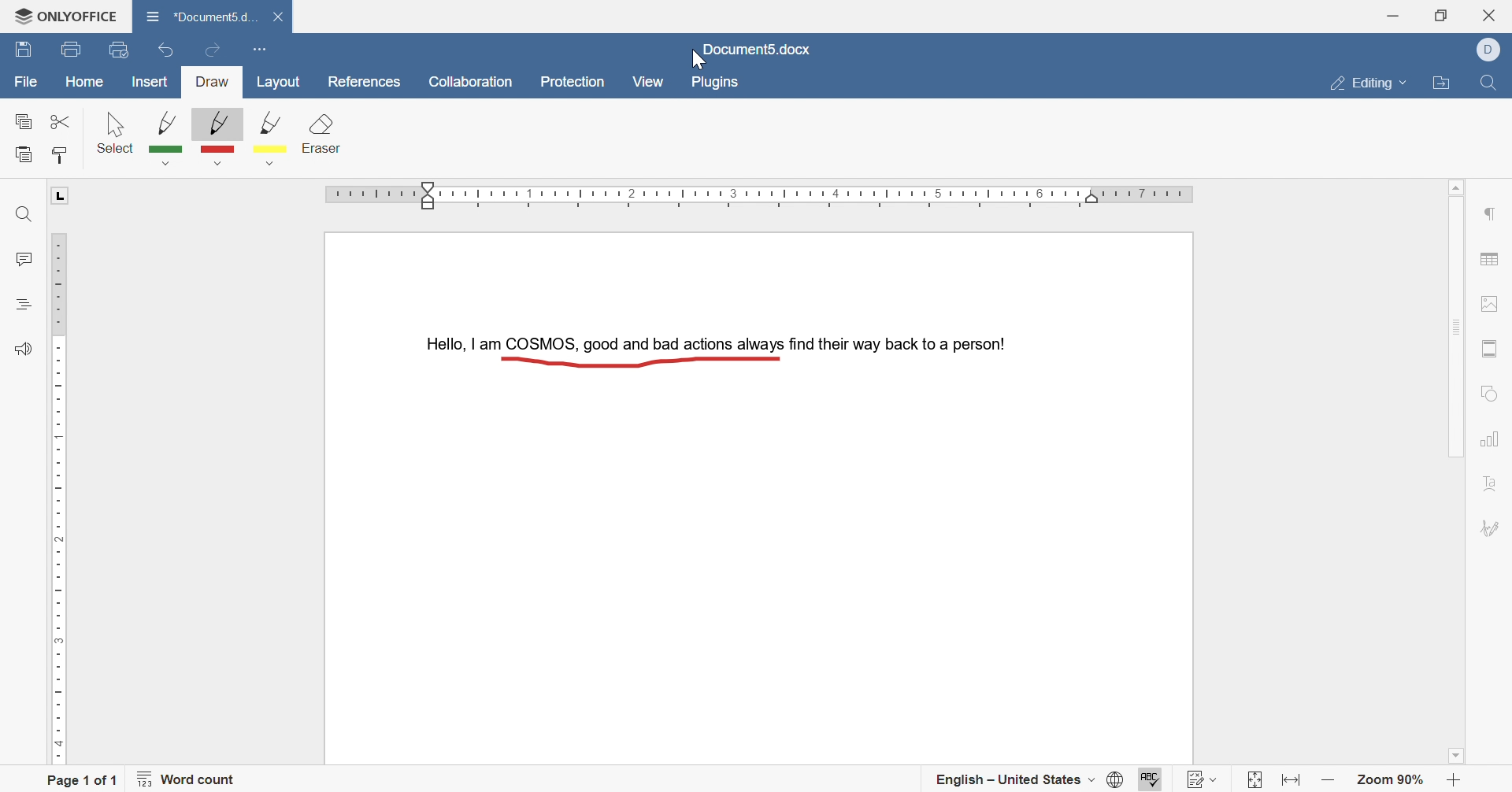 Image resolution: width=1512 pixels, height=792 pixels. I want to click on document5.docx, so click(757, 49).